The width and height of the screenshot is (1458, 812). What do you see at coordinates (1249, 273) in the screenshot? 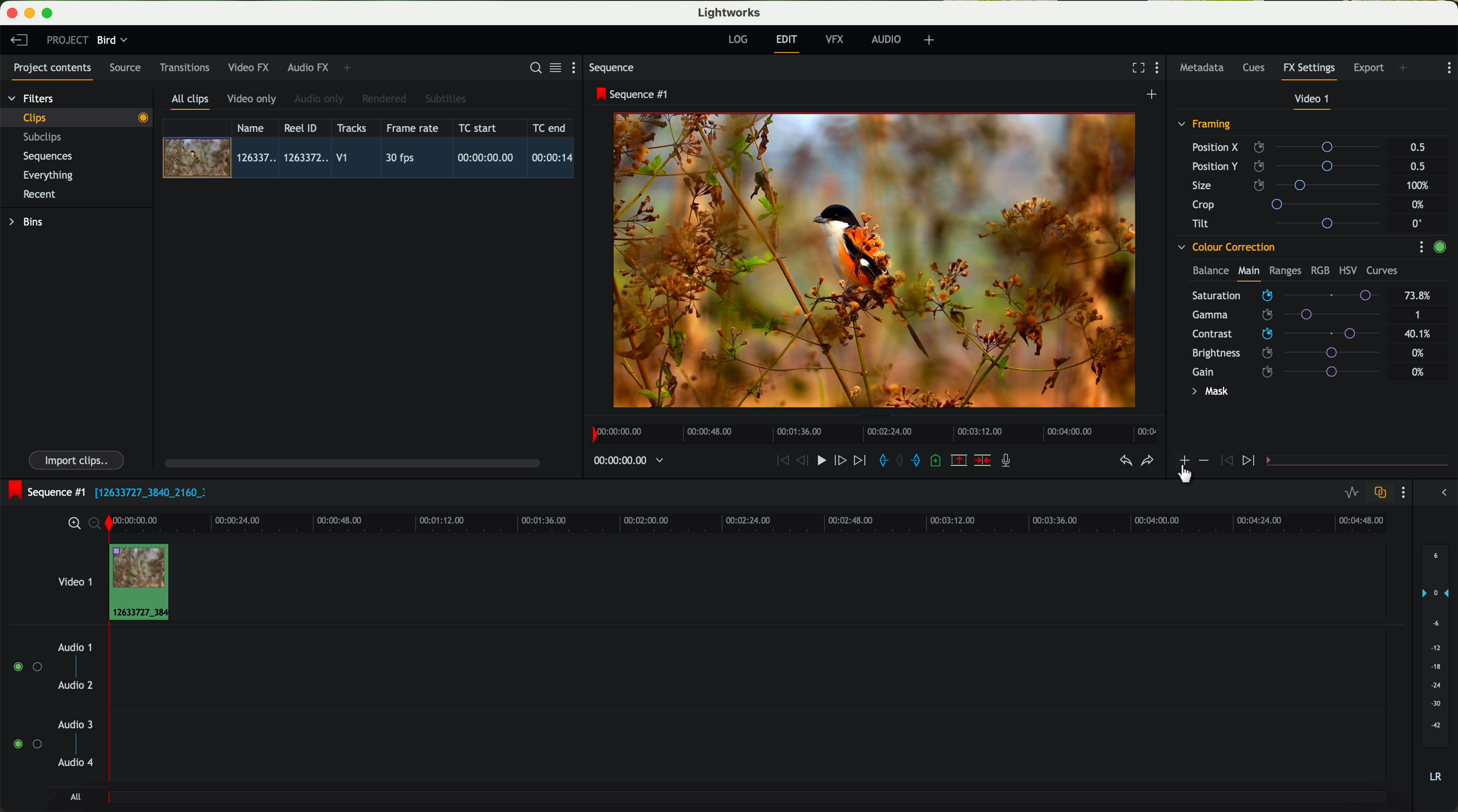
I see `main` at bounding box center [1249, 273].